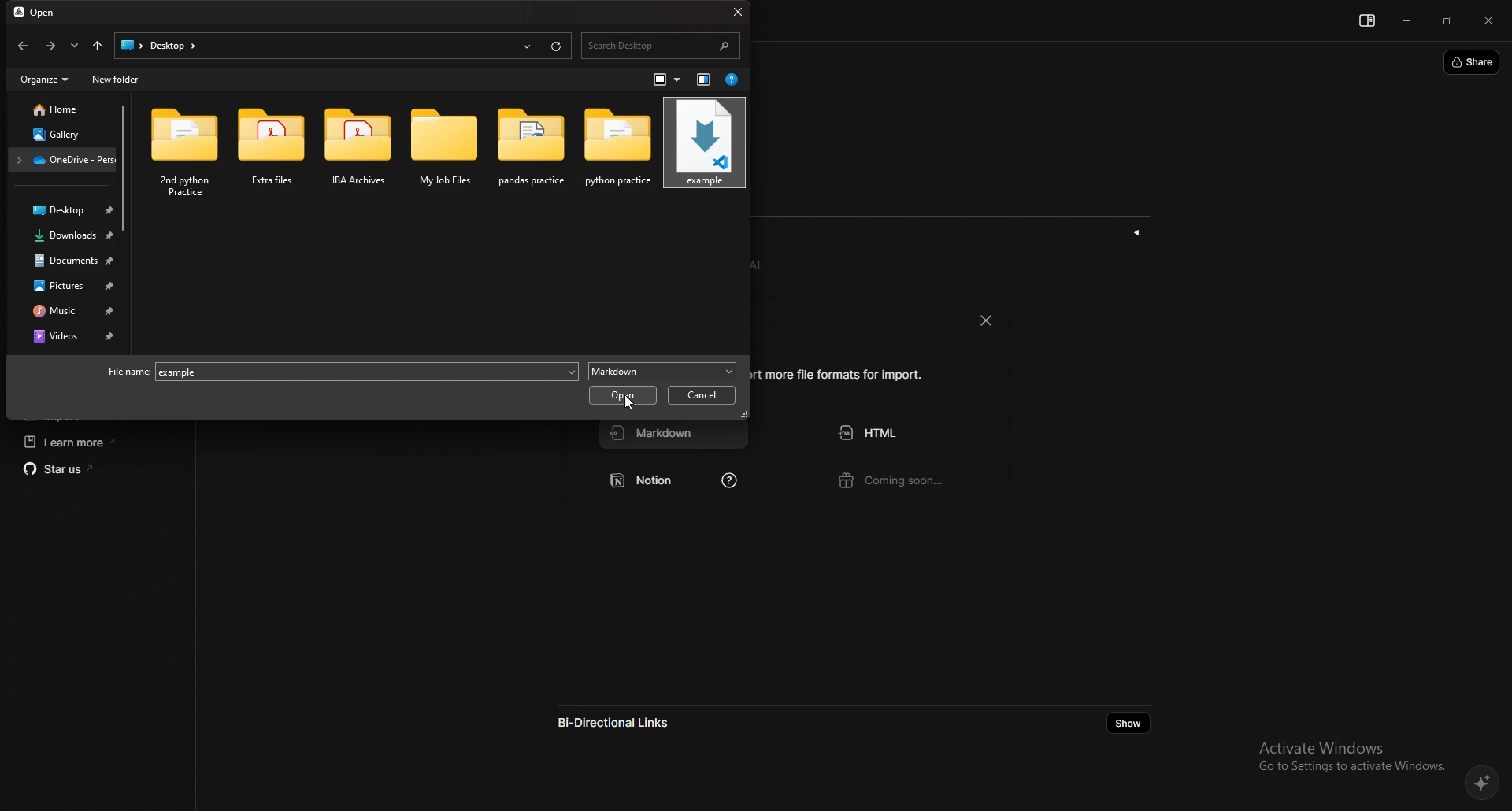  Describe the element at coordinates (448, 154) in the screenshot. I see `folder` at that location.